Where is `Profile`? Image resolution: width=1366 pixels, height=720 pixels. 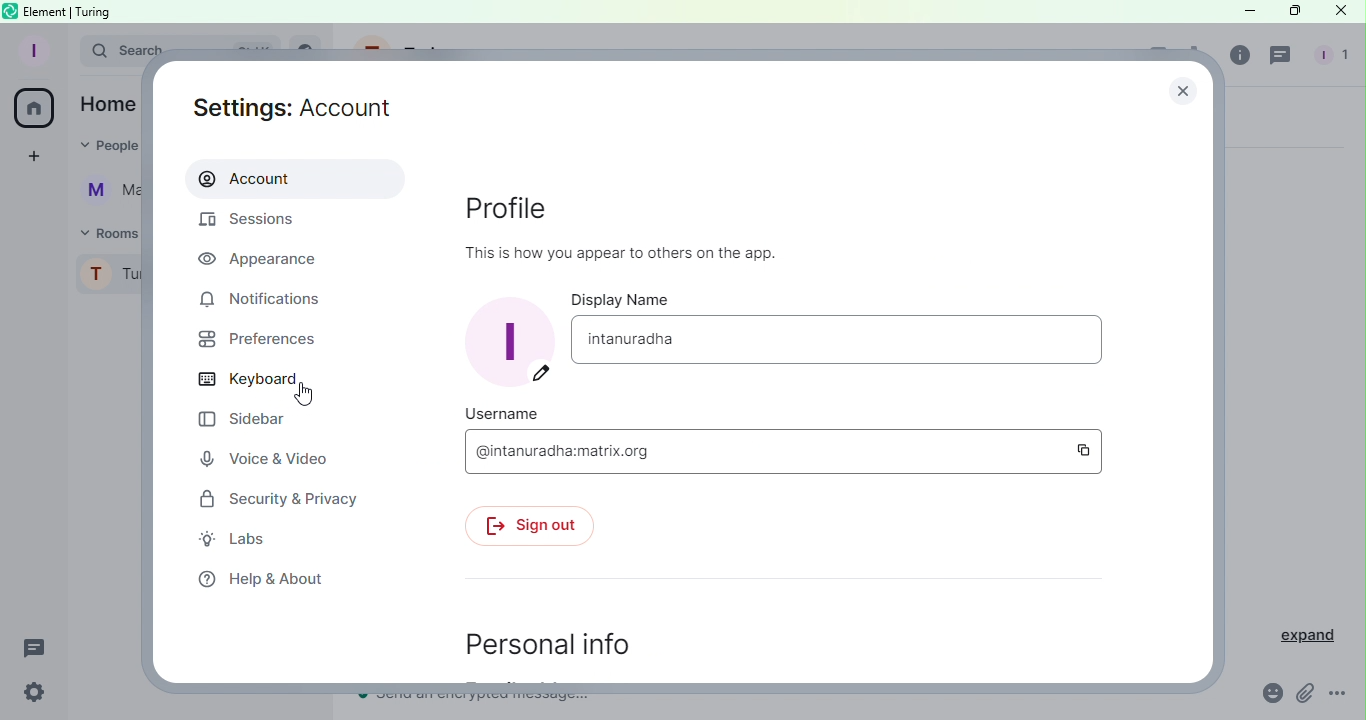 Profile is located at coordinates (32, 51).